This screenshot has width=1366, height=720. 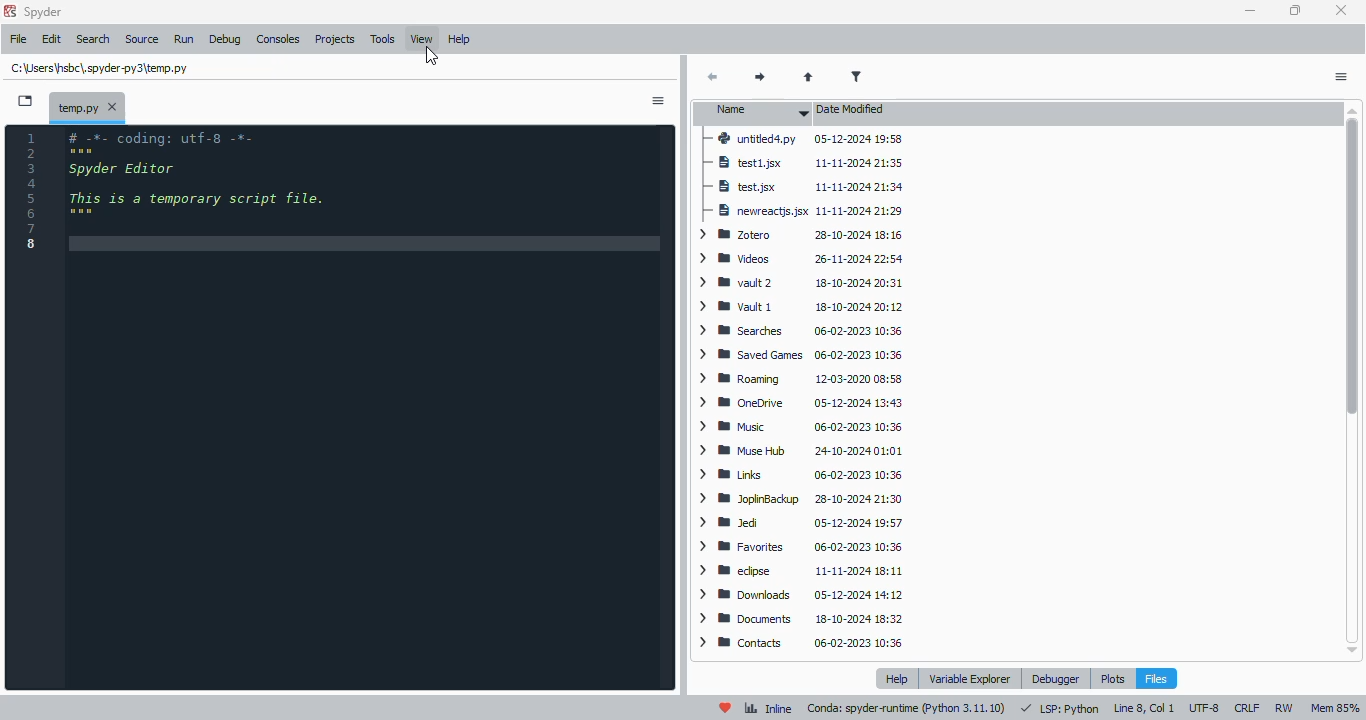 I want to click on editor, so click(x=367, y=408).